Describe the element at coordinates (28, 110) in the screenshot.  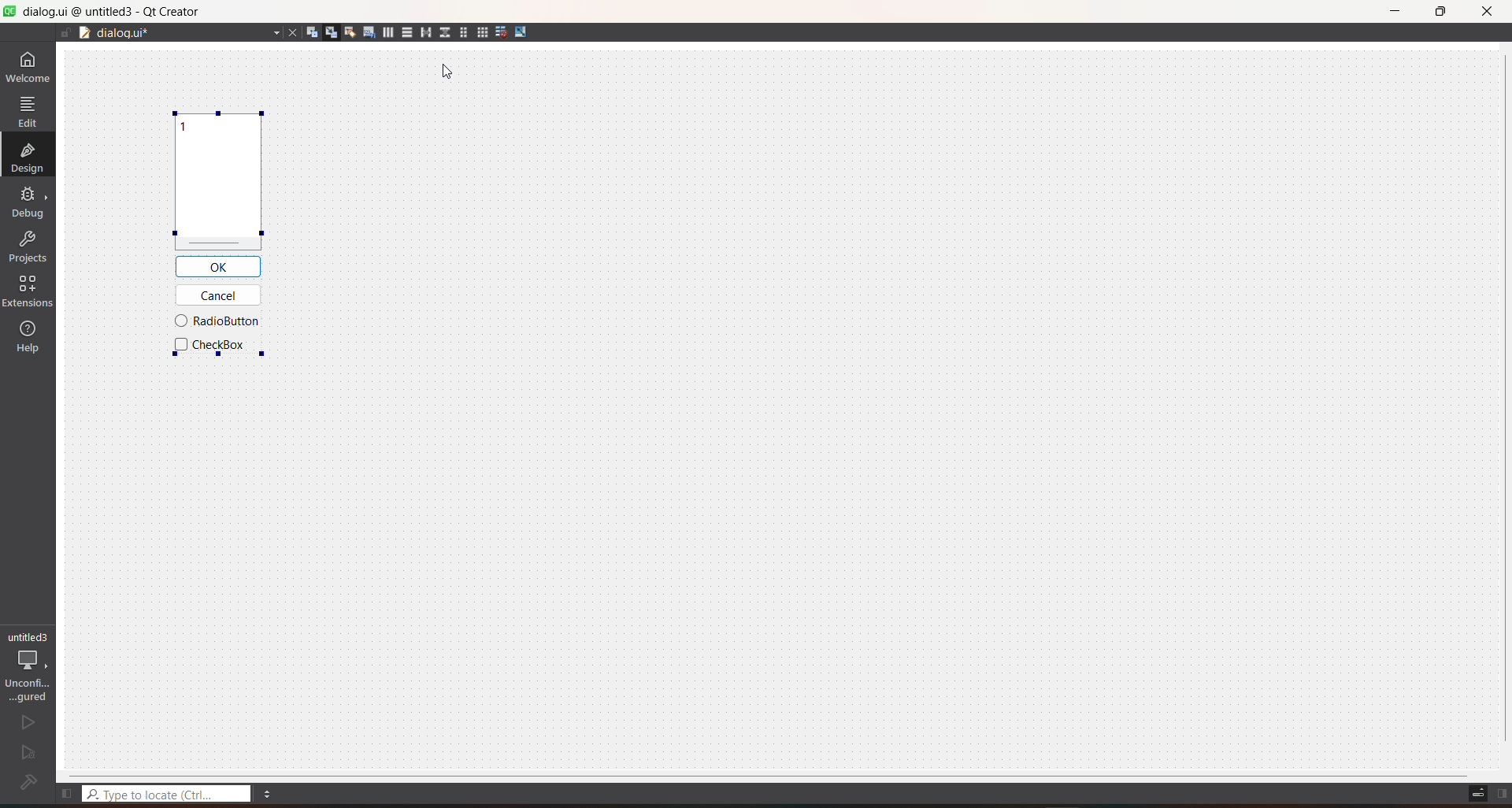
I see `edit` at that location.